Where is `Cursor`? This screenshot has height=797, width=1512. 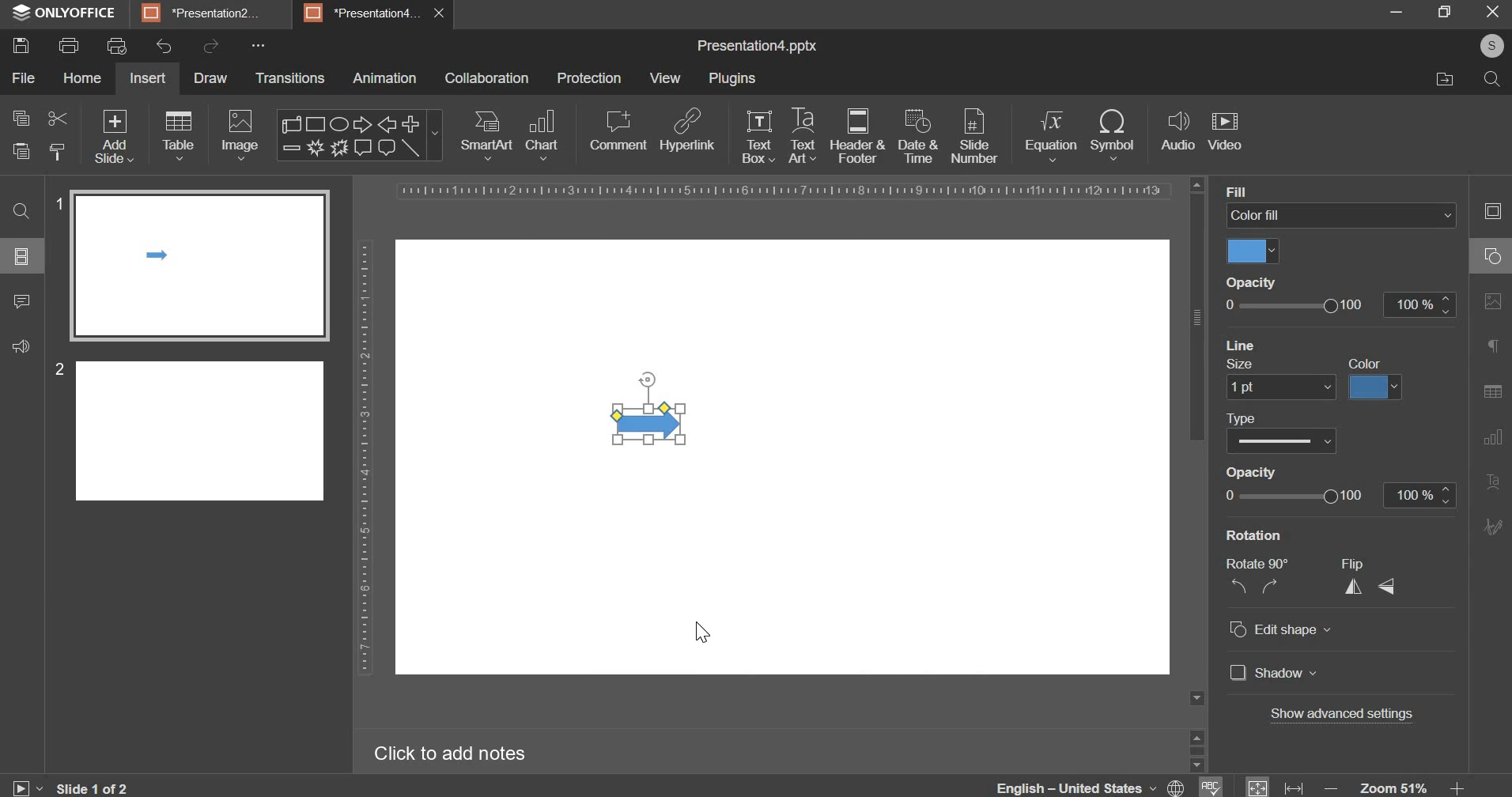
Cursor is located at coordinates (702, 633).